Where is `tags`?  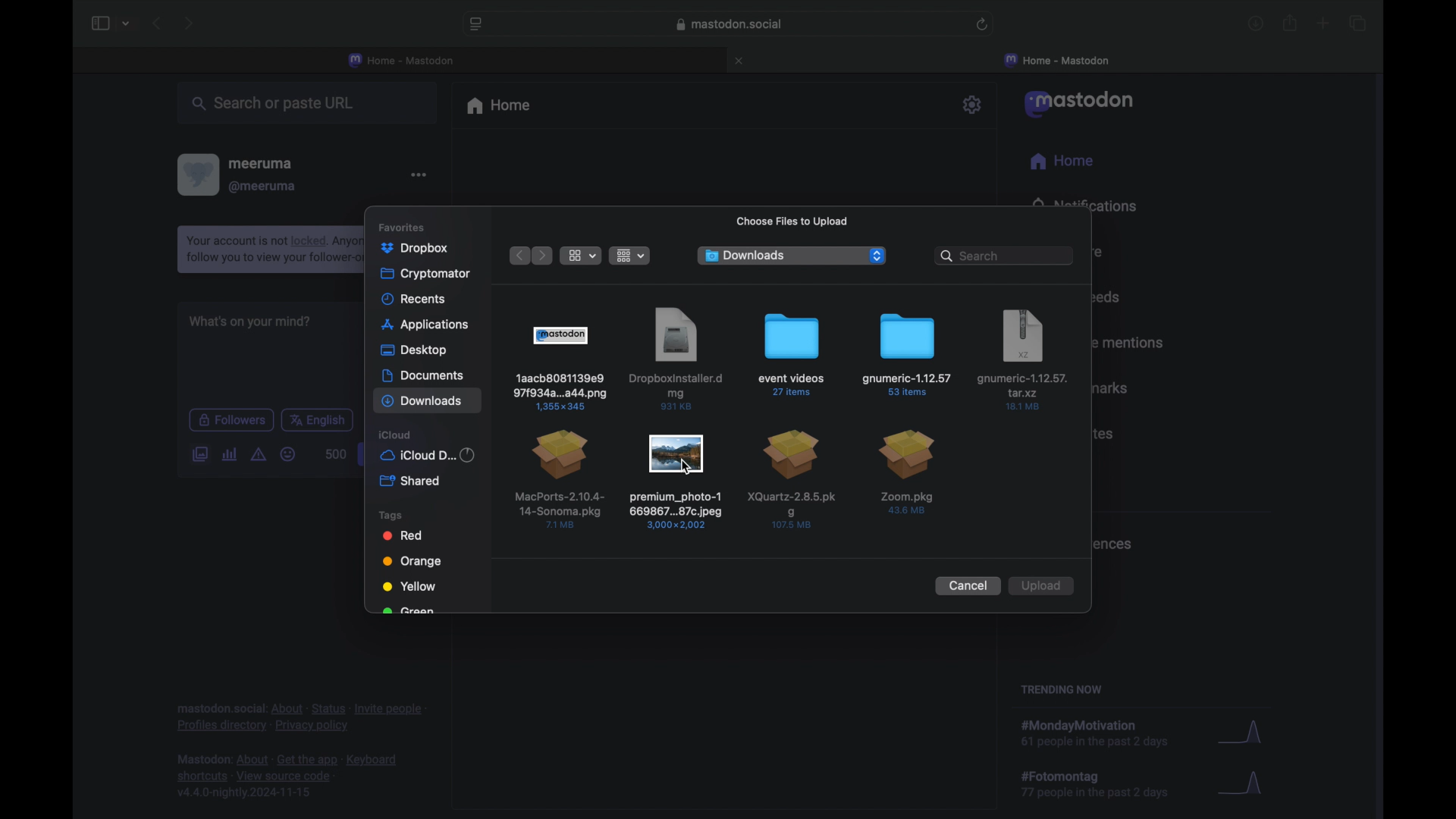 tags is located at coordinates (391, 514).